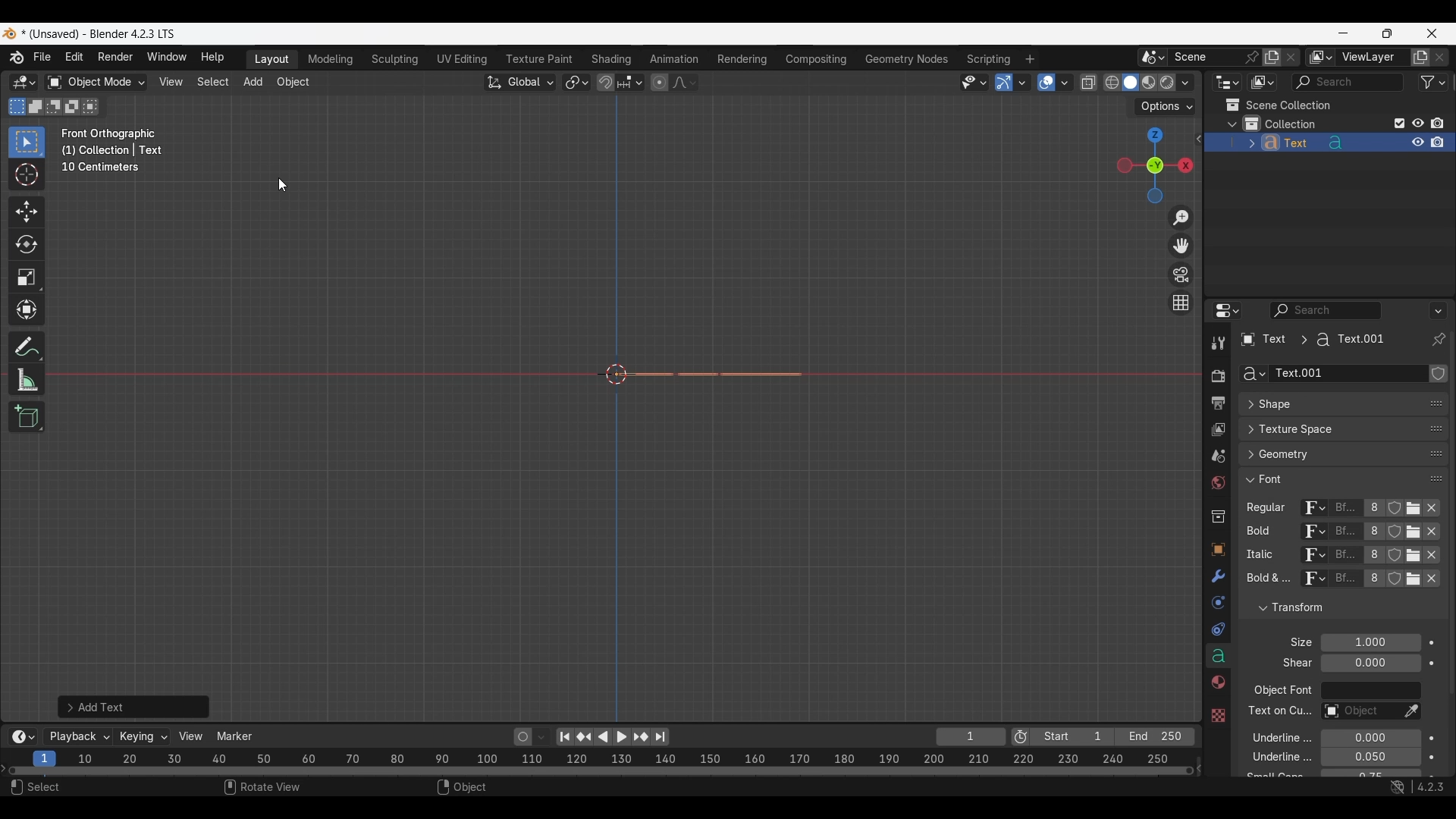 Image resolution: width=1456 pixels, height=819 pixels. Describe the element at coordinates (1278, 713) in the screenshot. I see `` at that location.